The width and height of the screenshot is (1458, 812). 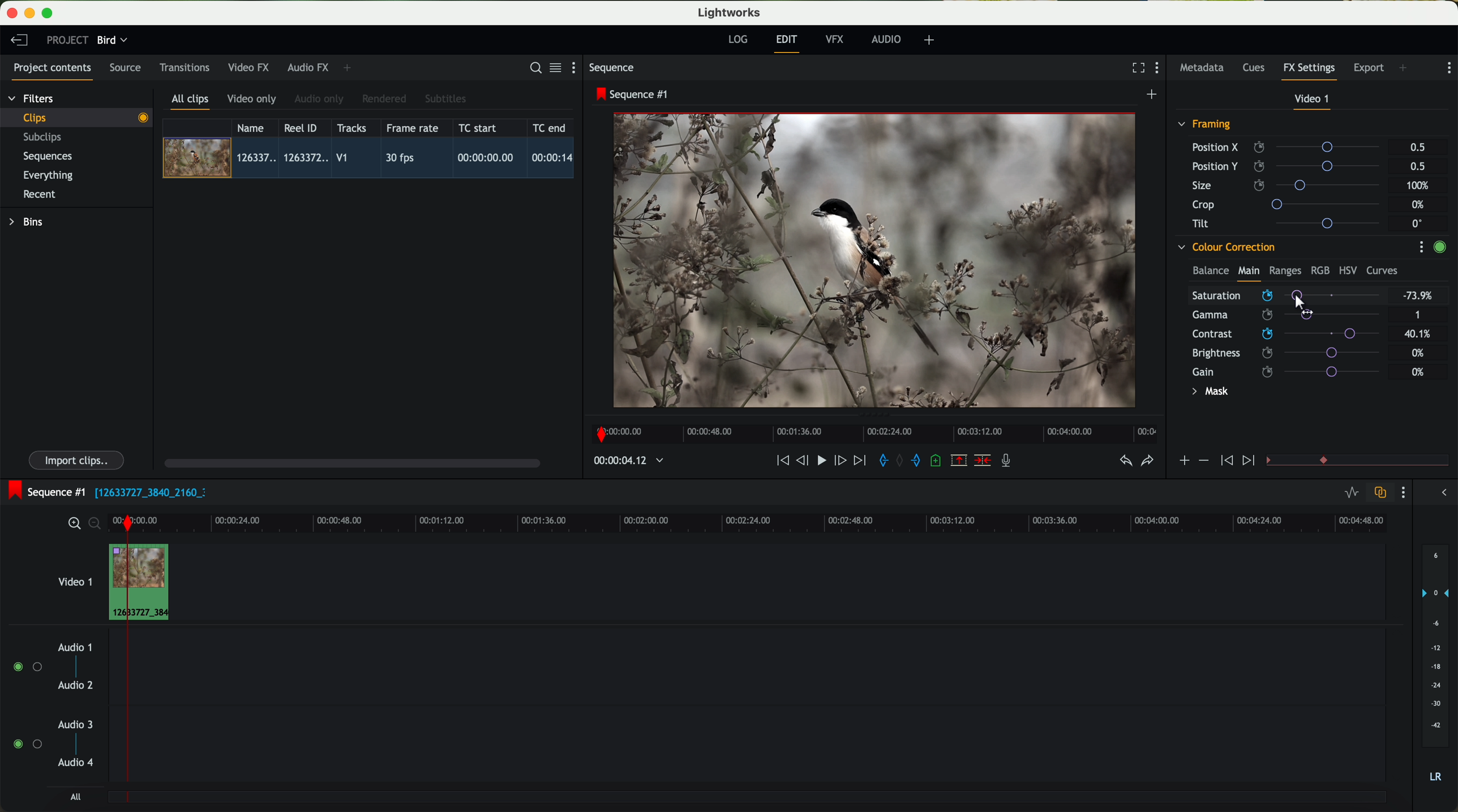 What do you see at coordinates (837, 40) in the screenshot?
I see `VFX` at bounding box center [837, 40].